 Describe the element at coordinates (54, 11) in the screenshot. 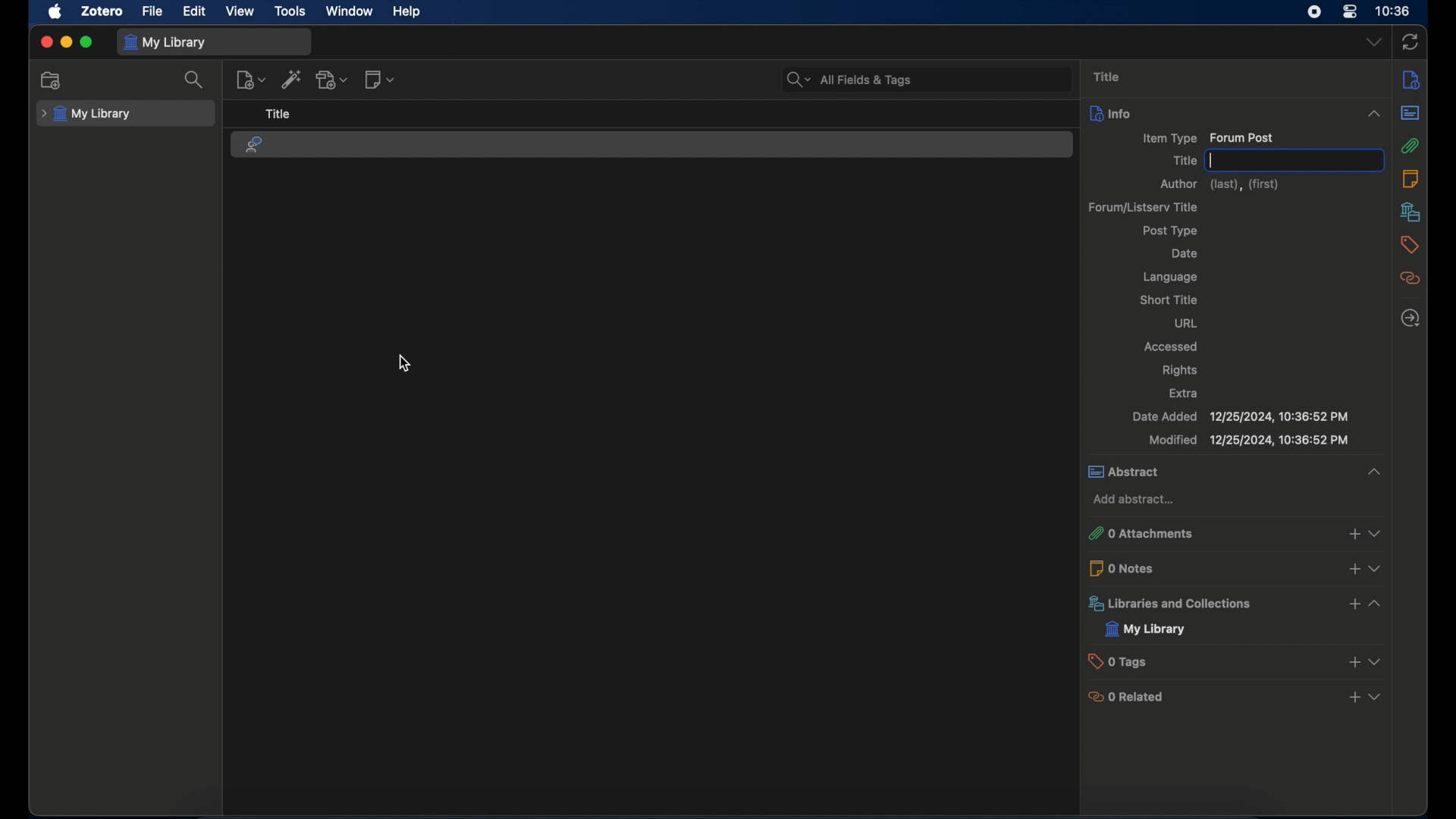

I see `apple` at that location.